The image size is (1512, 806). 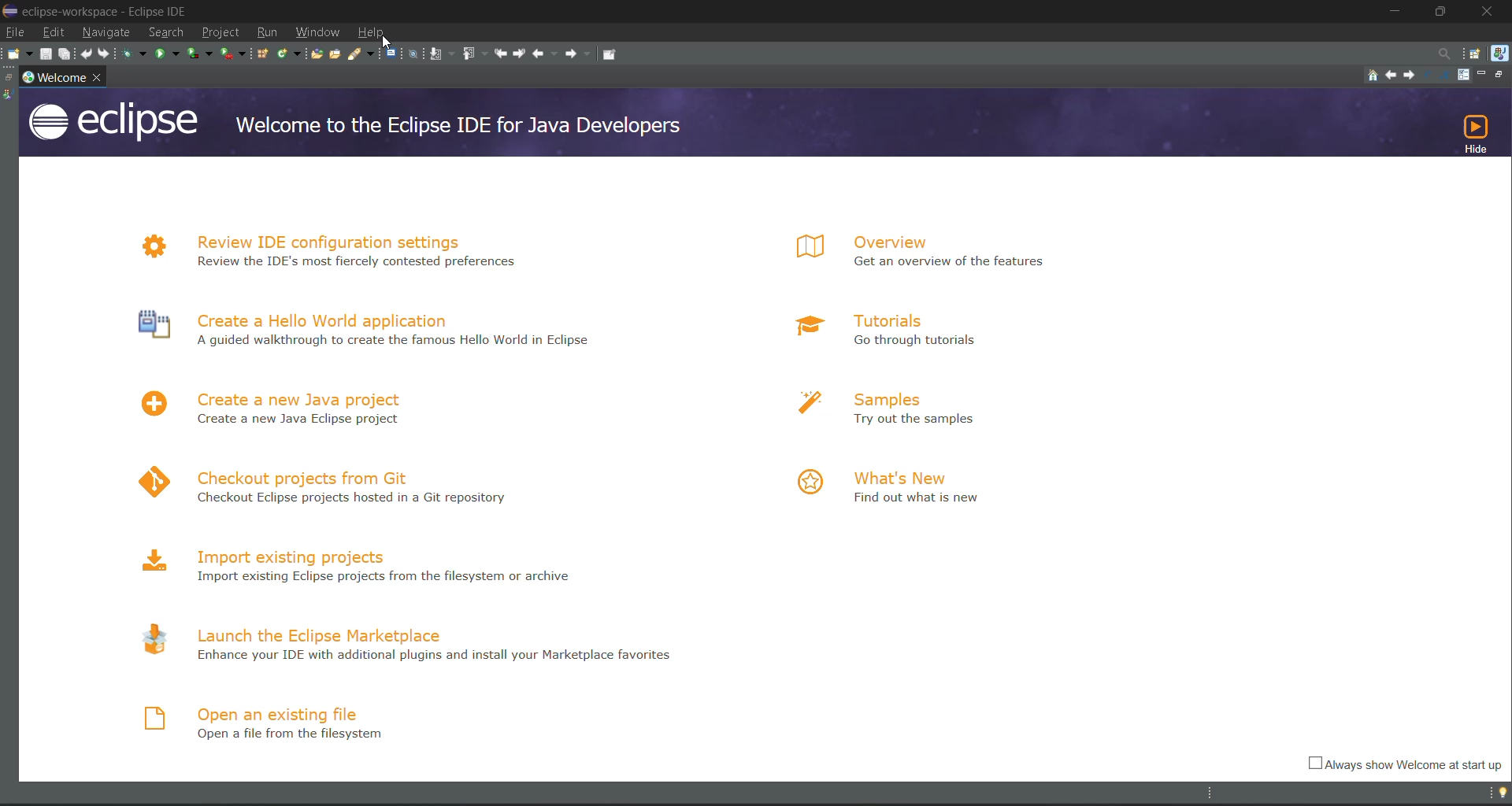 What do you see at coordinates (476, 55) in the screenshot?
I see `previous annotation` at bounding box center [476, 55].